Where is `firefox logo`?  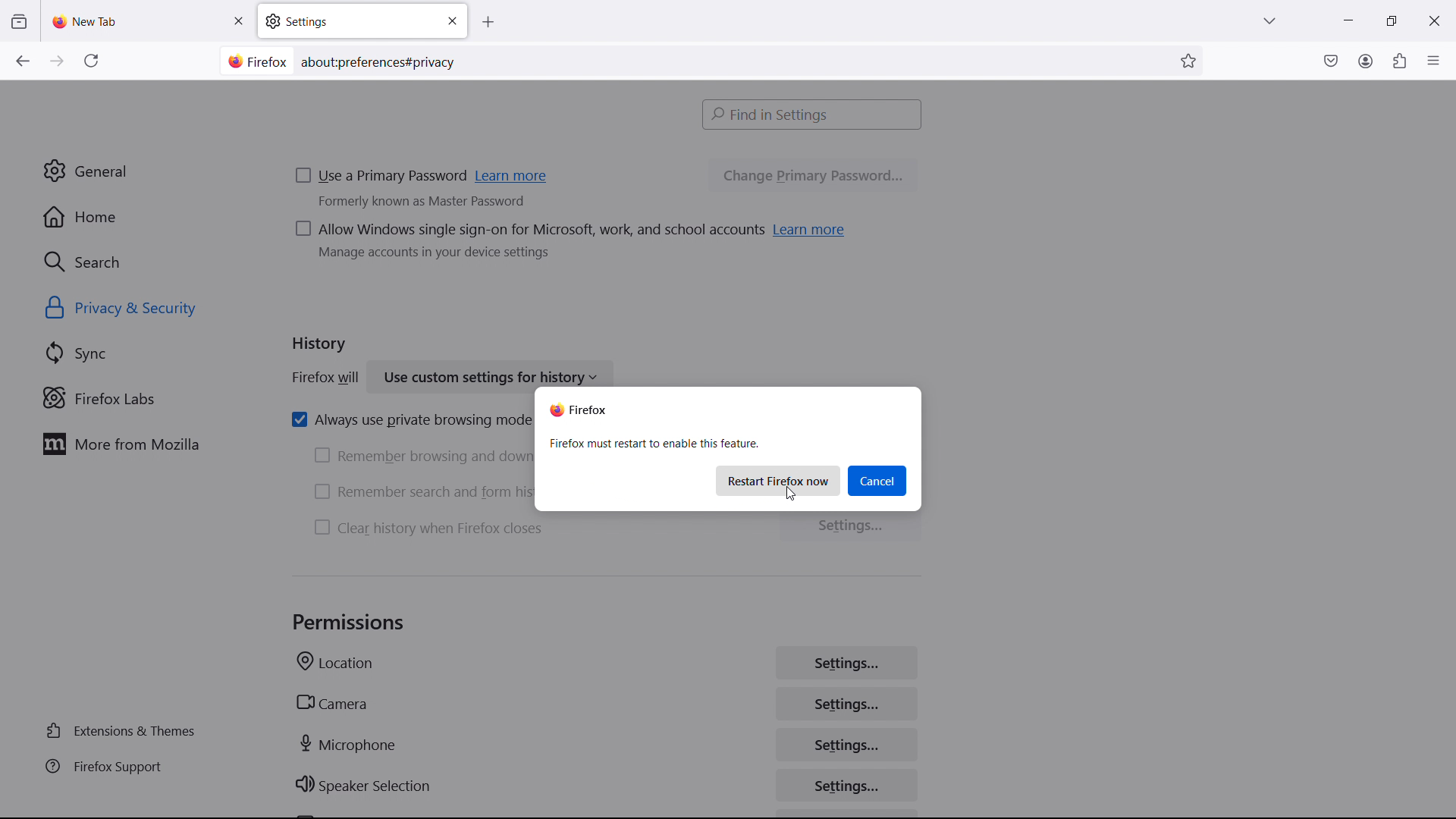
firefox logo is located at coordinates (579, 409).